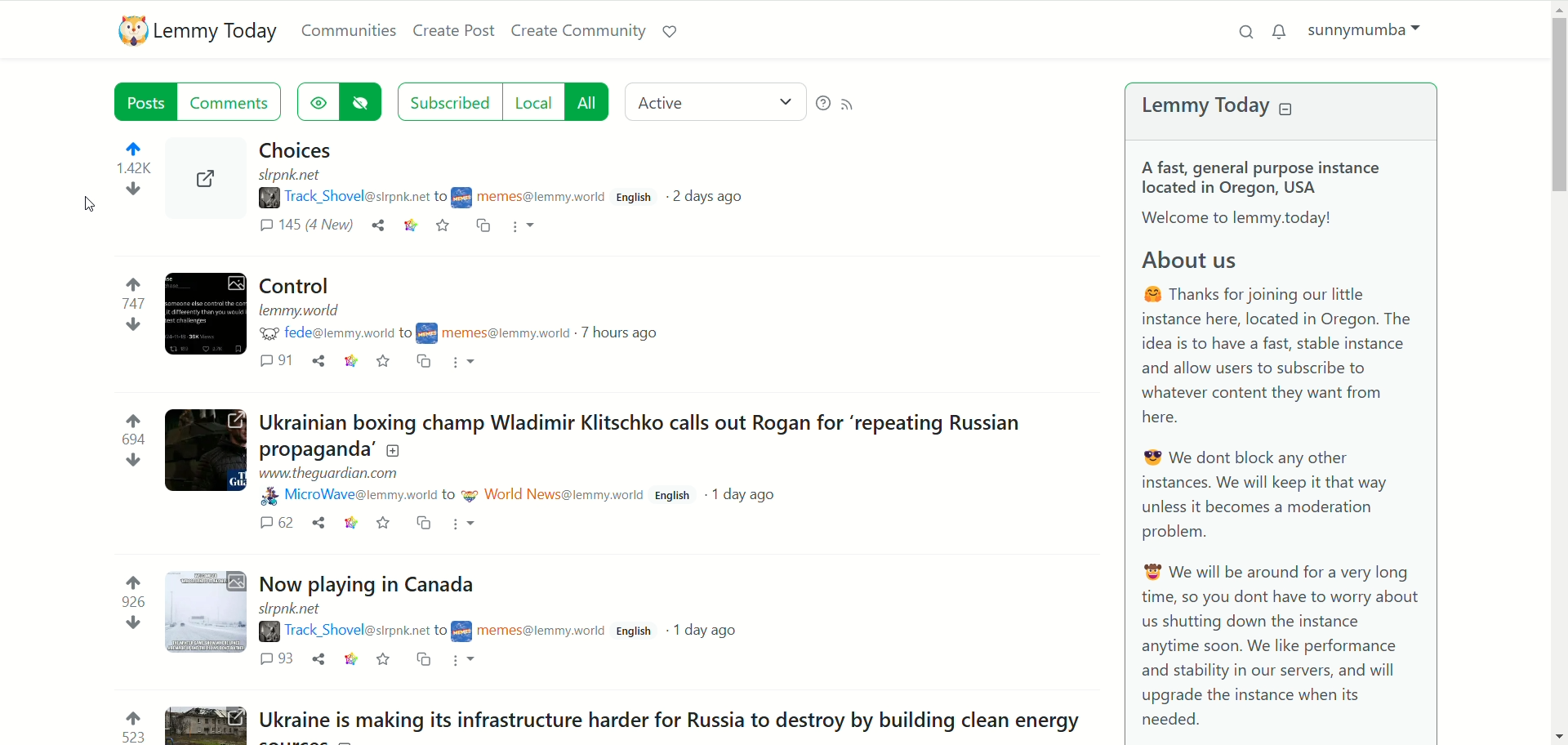  Describe the element at coordinates (300, 609) in the screenshot. I see `URL` at that location.